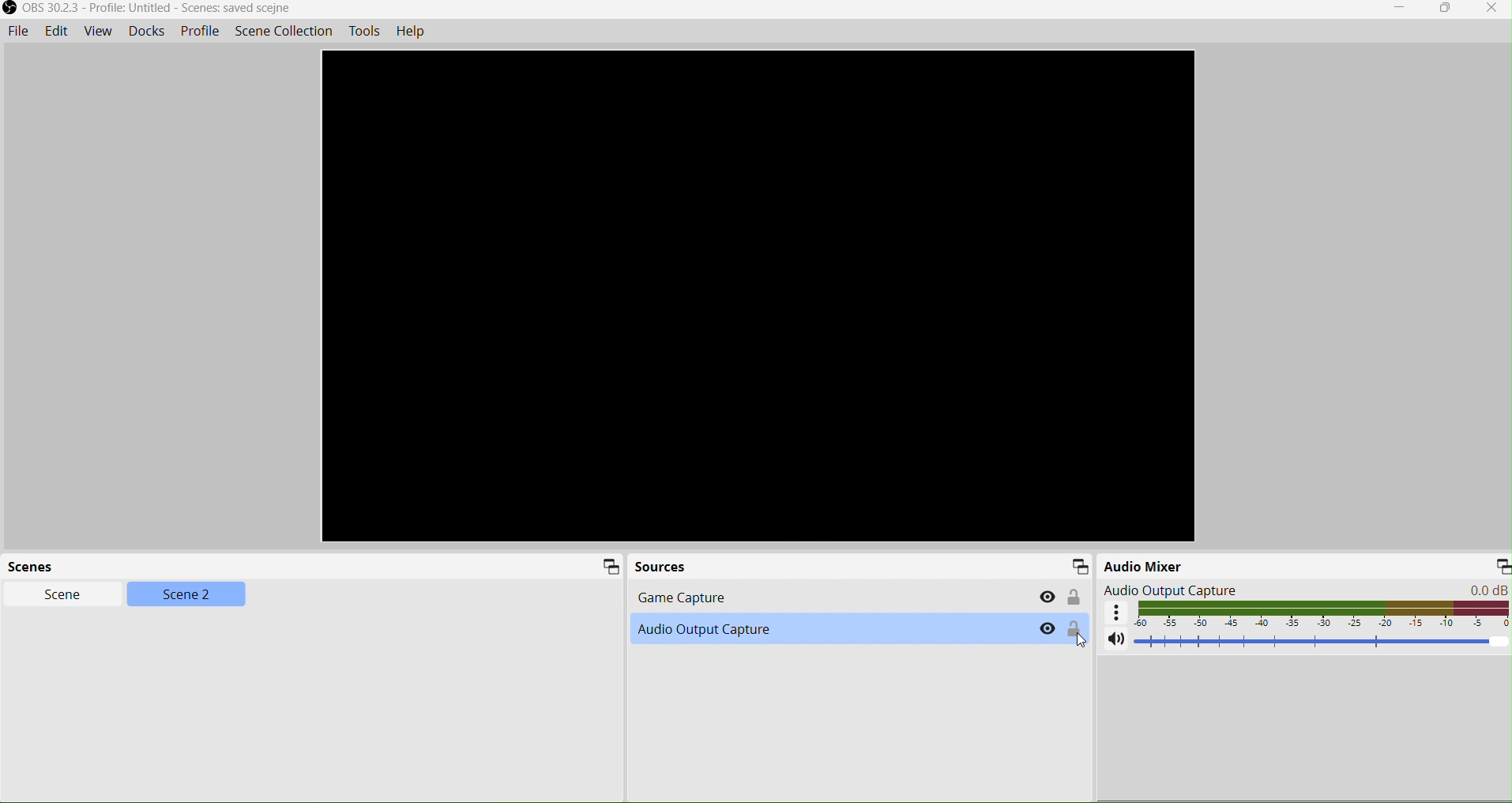 The image size is (1512, 803). Describe the element at coordinates (1044, 596) in the screenshot. I see `Hide` at that location.